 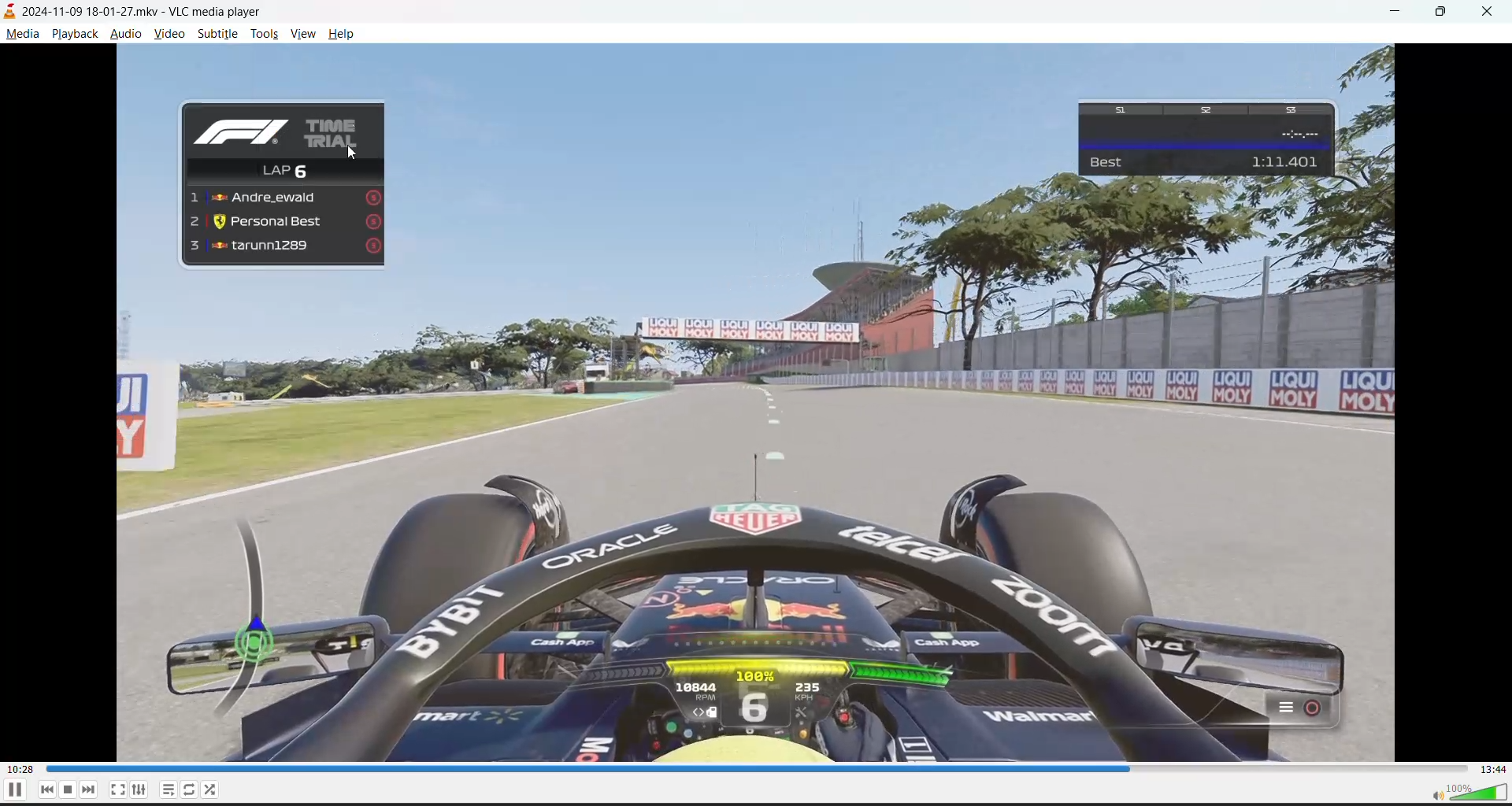 I want to click on cursor, so click(x=350, y=153).